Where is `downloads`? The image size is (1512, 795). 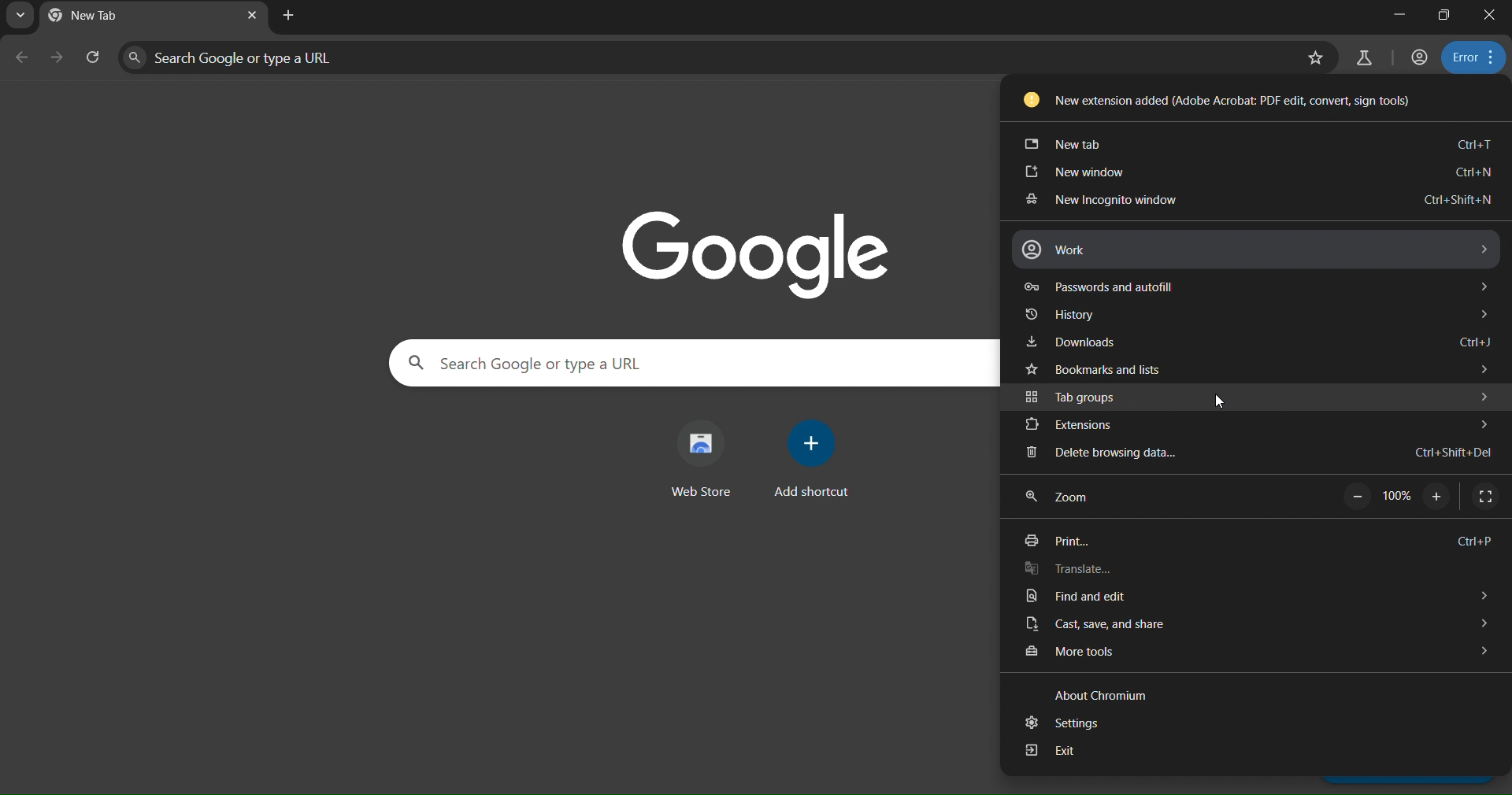
downloads is located at coordinates (1263, 343).